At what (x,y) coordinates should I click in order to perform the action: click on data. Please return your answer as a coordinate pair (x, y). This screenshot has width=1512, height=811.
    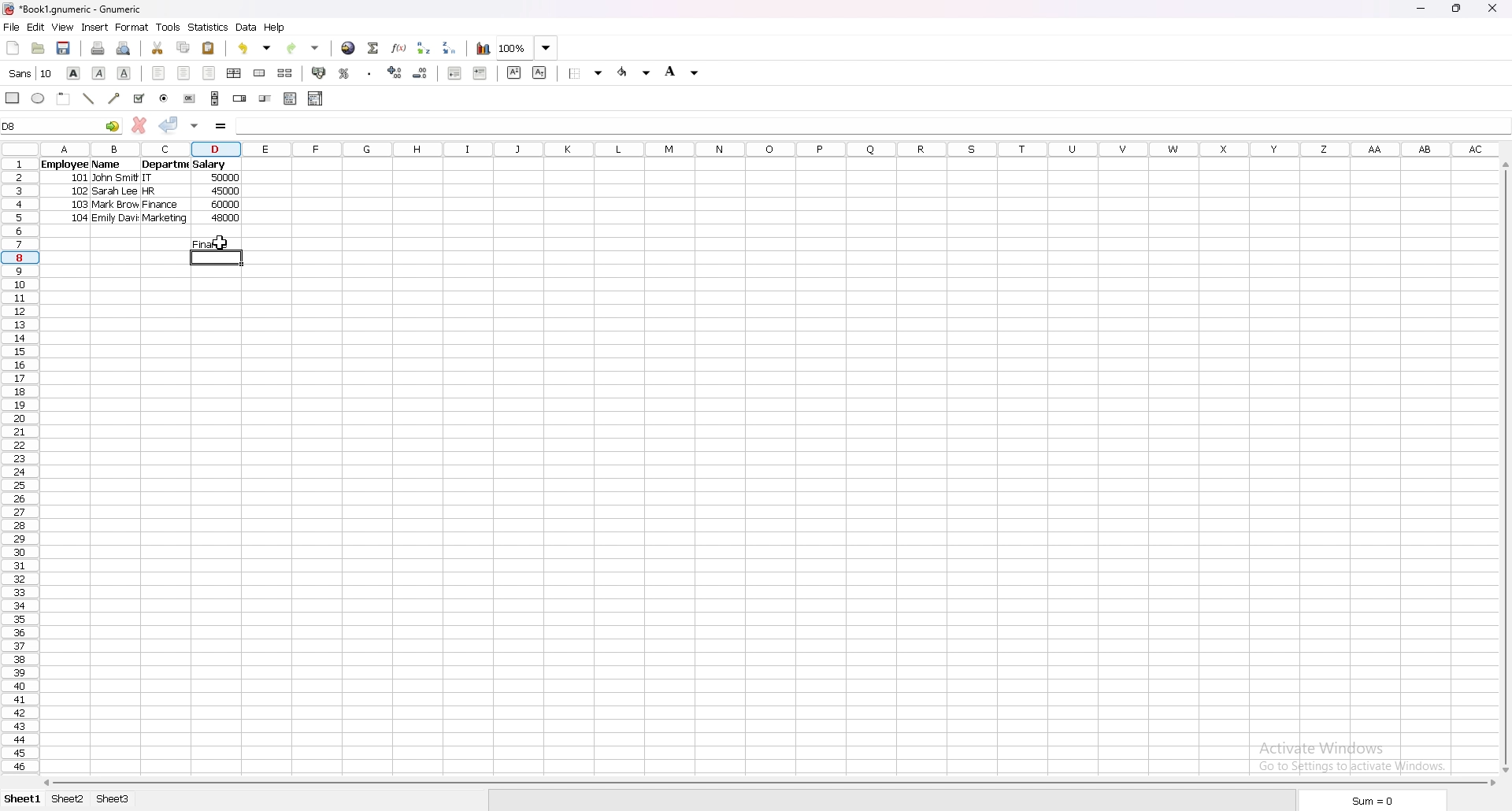
    Looking at the image, I should click on (246, 28).